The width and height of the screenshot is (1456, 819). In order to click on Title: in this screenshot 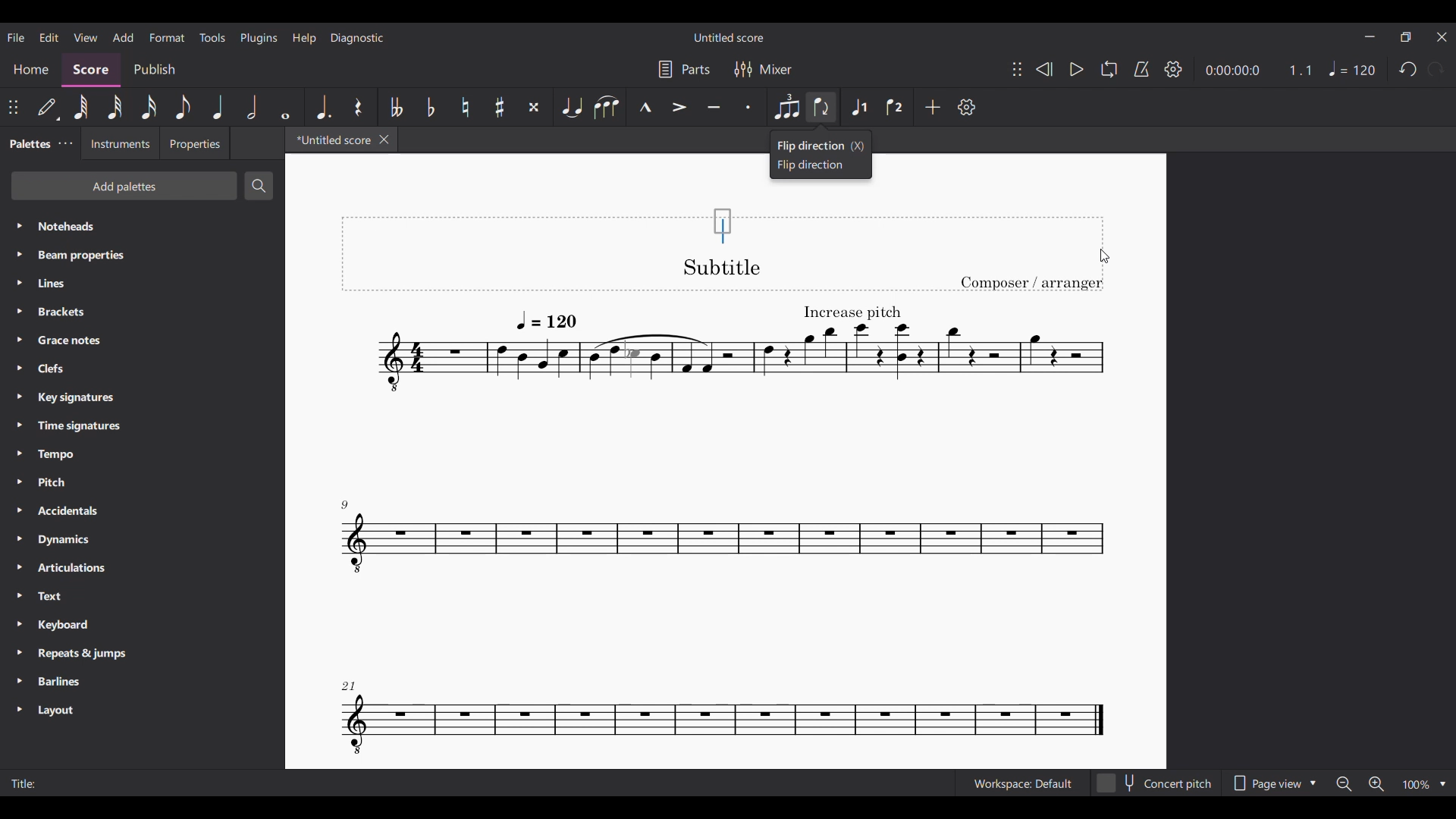, I will do `click(40, 783)`.